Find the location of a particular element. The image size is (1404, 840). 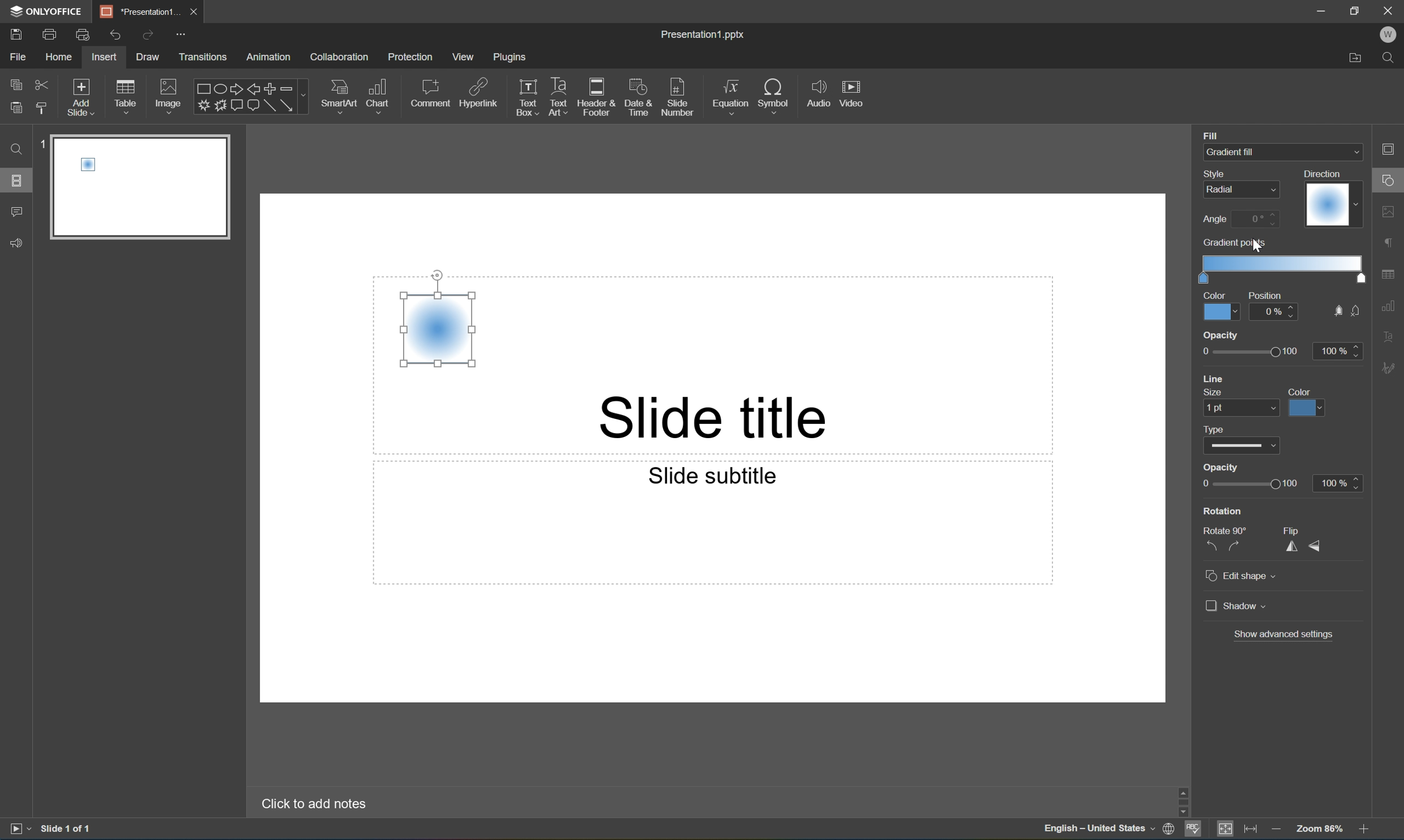

style is located at coordinates (1219, 174).